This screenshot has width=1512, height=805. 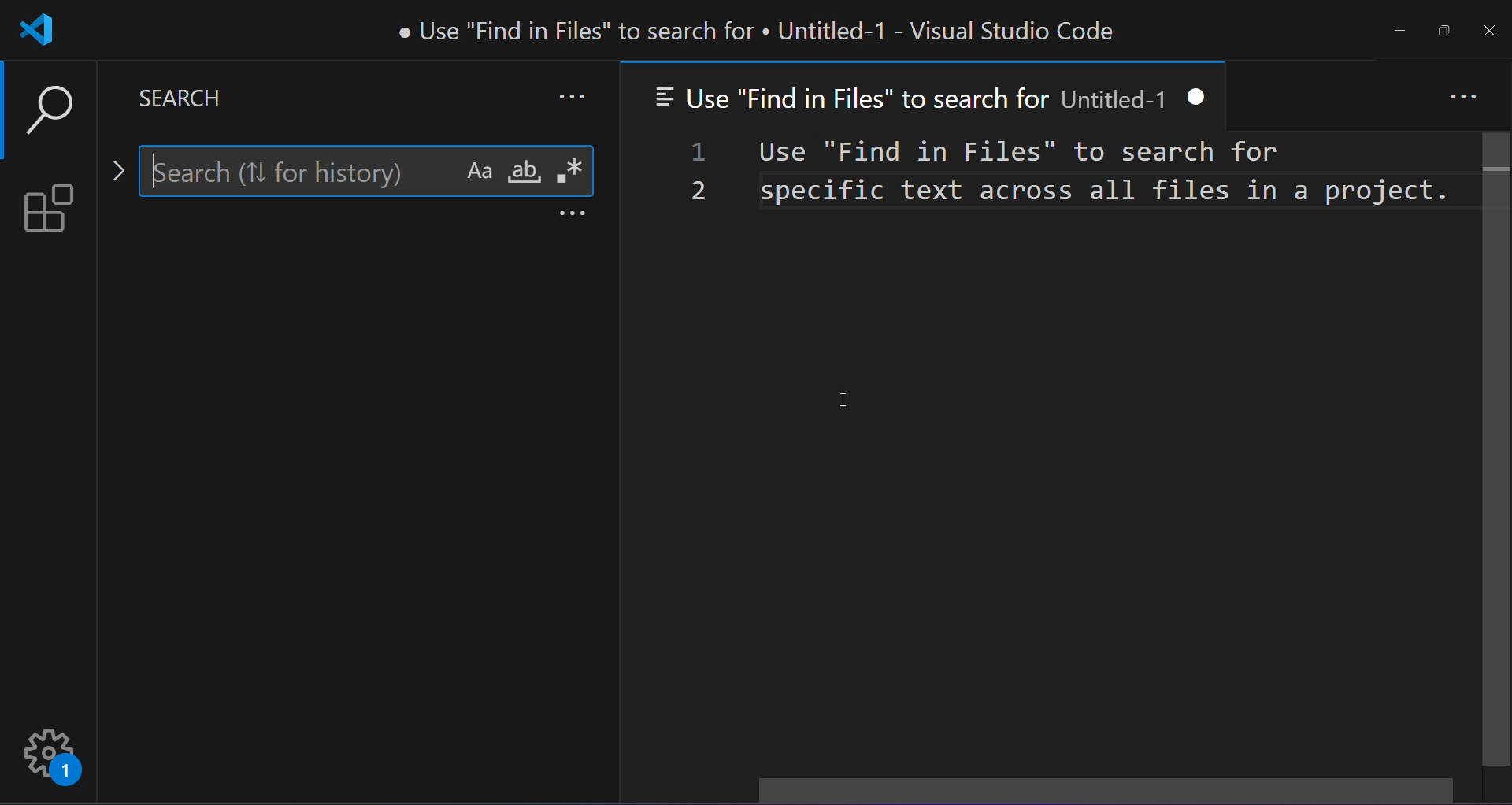 I want to click on scrollbar, so click(x=1492, y=453).